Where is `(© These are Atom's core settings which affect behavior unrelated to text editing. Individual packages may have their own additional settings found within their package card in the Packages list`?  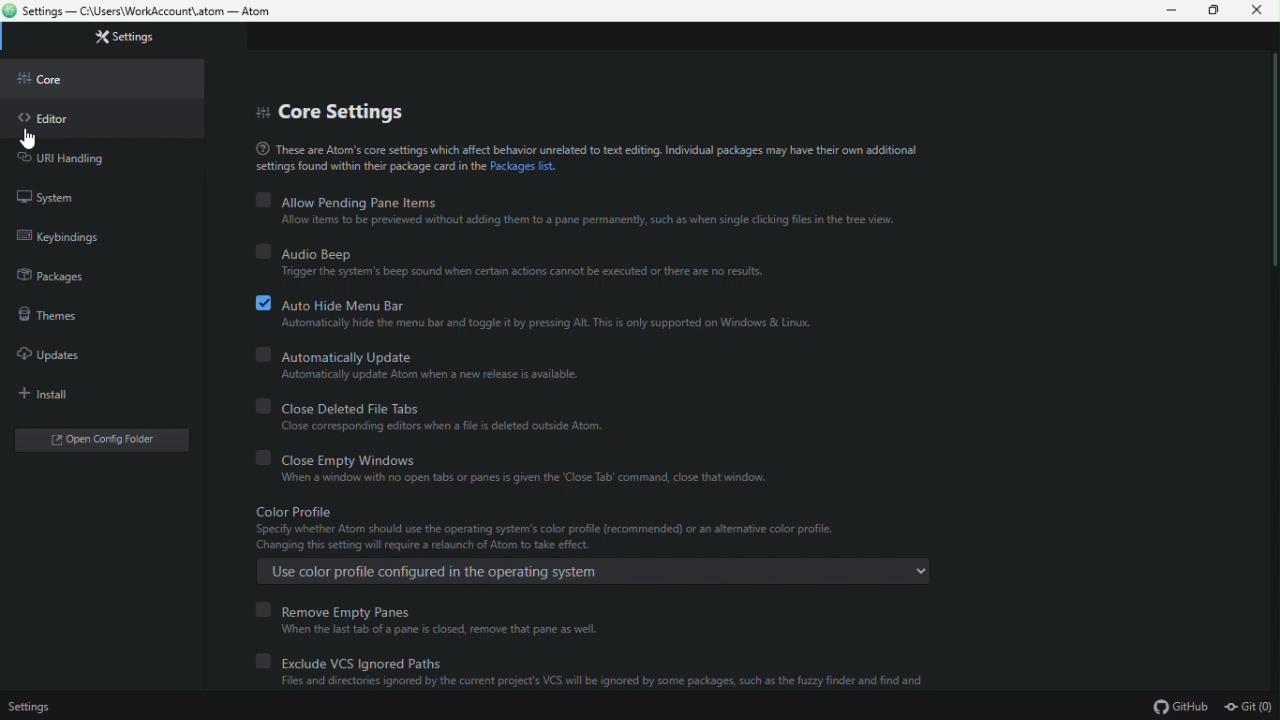
(© These are Atom's core settings which affect behavior unrelated to text editing. Individual packages may have their own additional settings found within their package card in the Packages list is located at coordinates (576, 157).